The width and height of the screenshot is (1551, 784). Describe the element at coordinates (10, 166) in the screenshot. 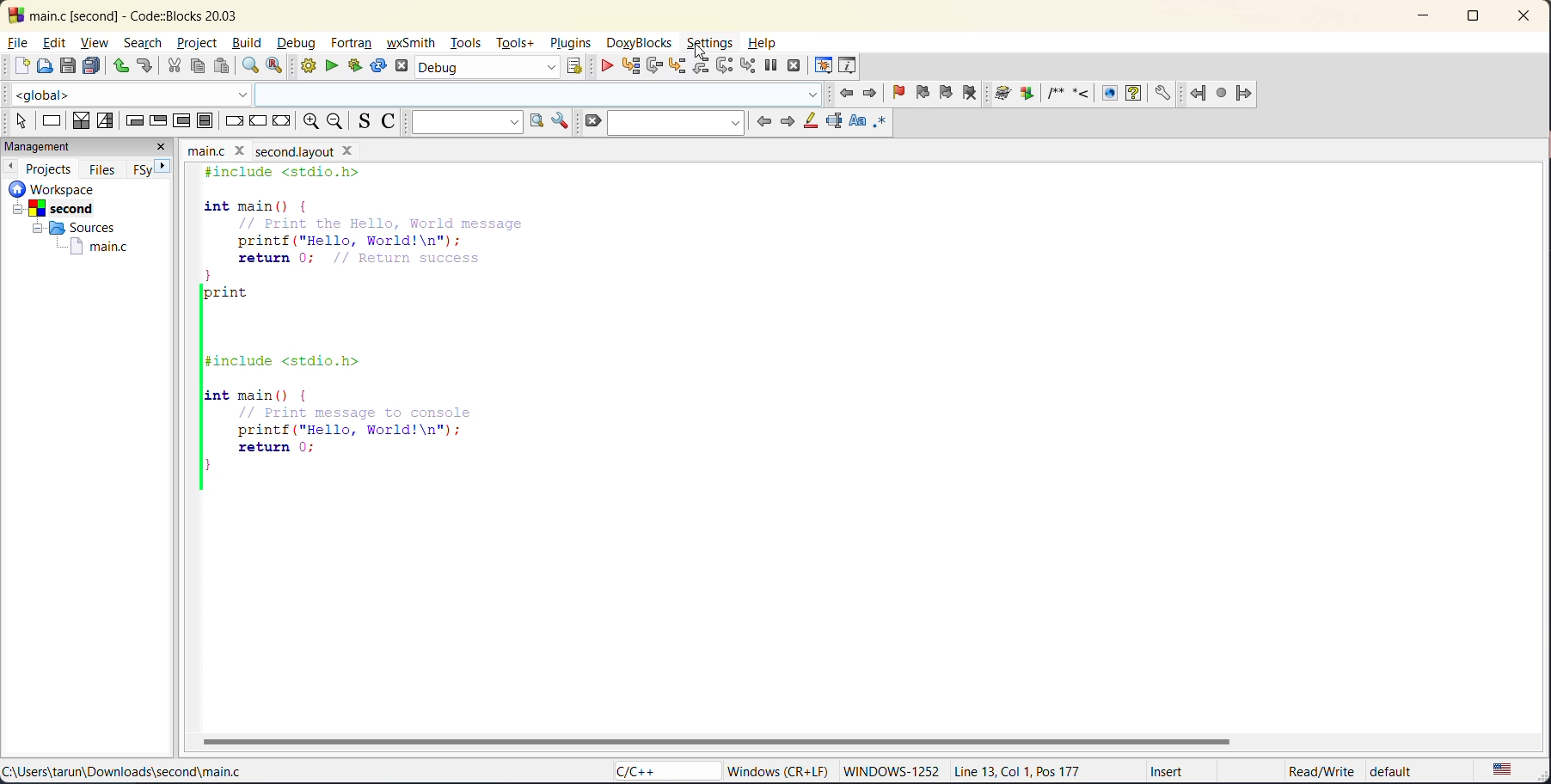

I see `previous` at that location.